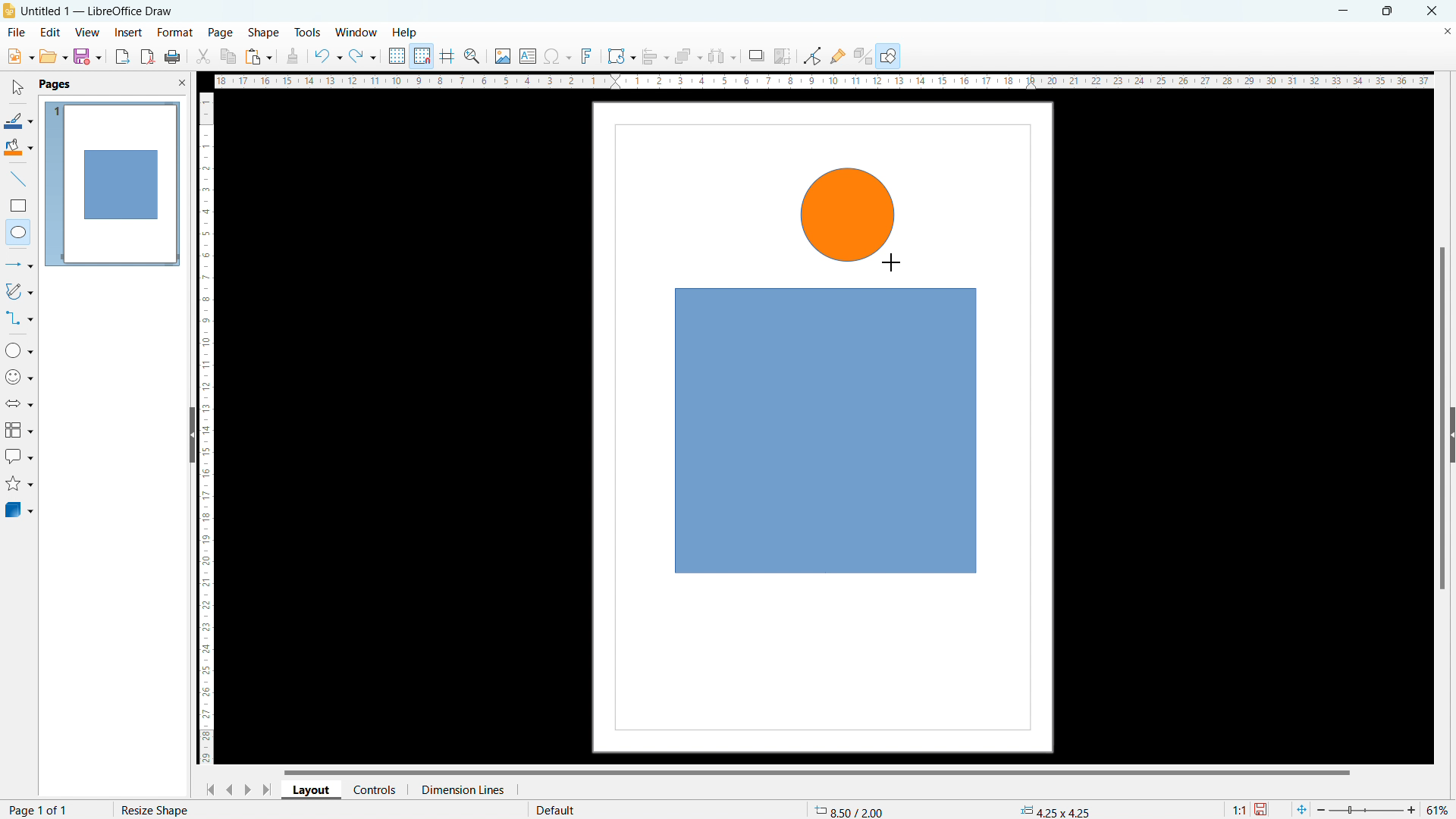 This screenshot has height=819, width=1456. What do you see at coordinates (230, 787) in the screenshot?
I see `go to previous page` at bounding box center [230, 787].